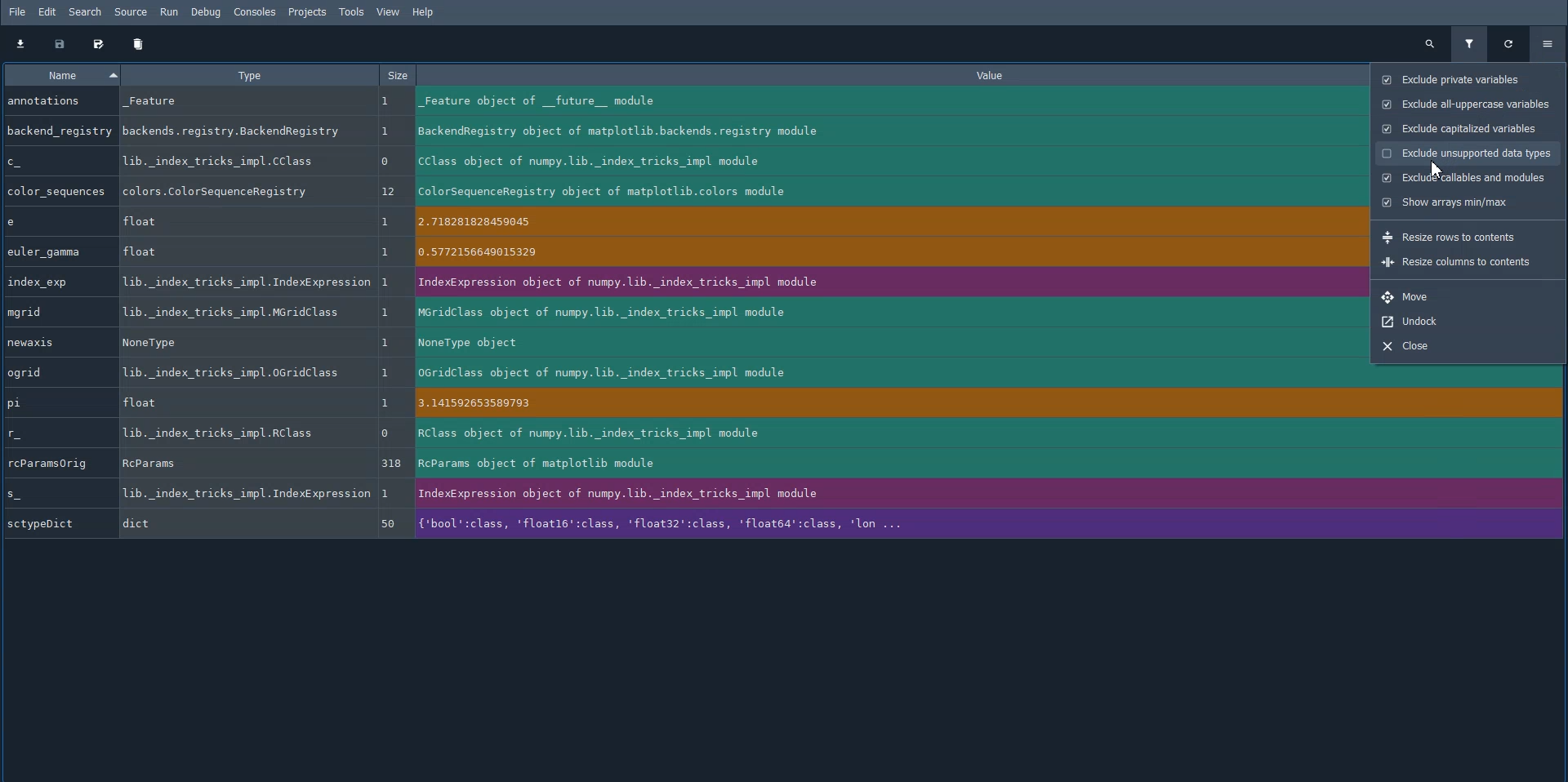 The width and height of the screenshot is (1568, 782). Describe the element at coordinates (86, 12) in the screenshot. I see `Search` at that location.